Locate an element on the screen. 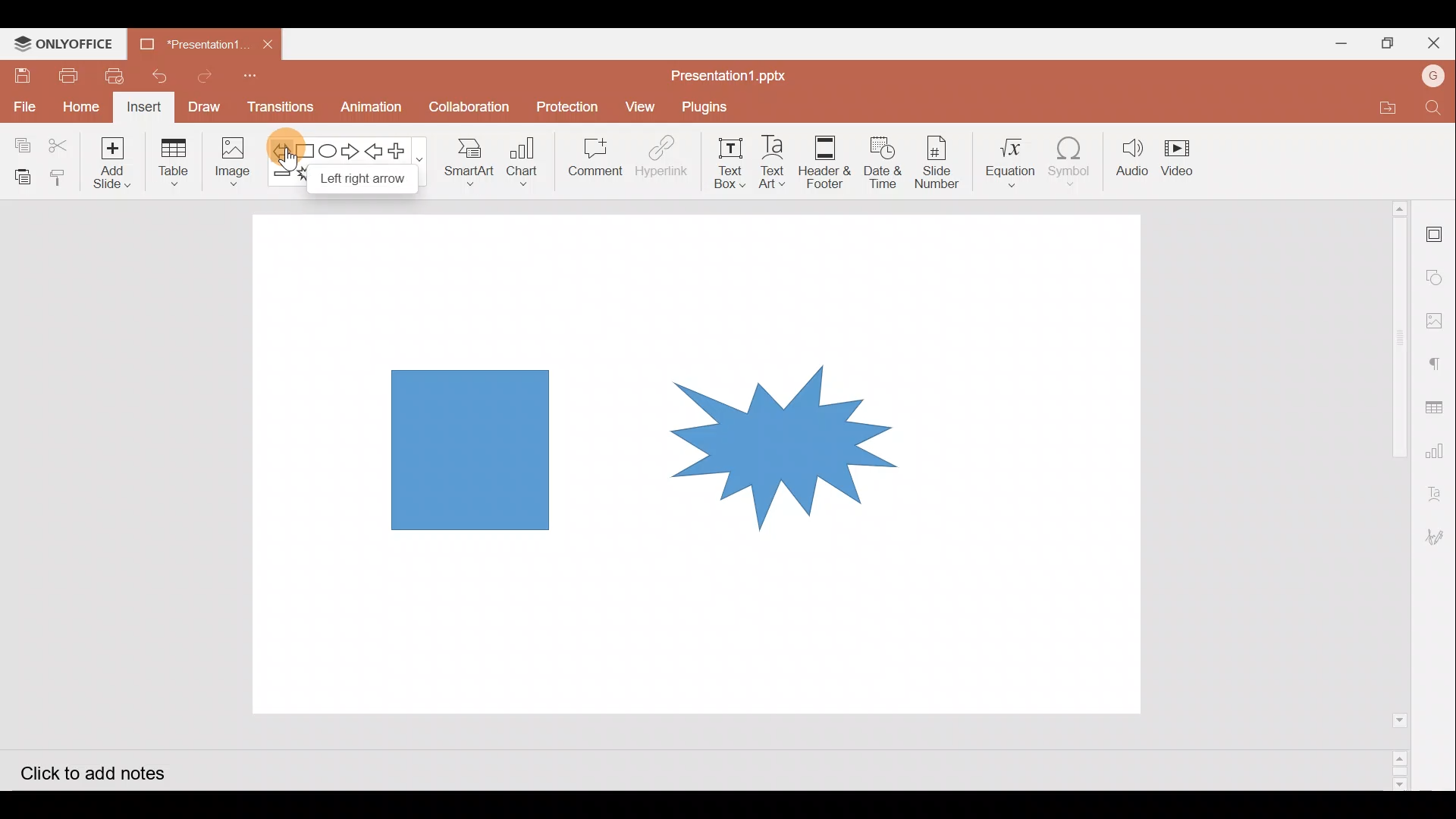 The image size is (1456, 819). Paste is located at coordinates (21, 173).